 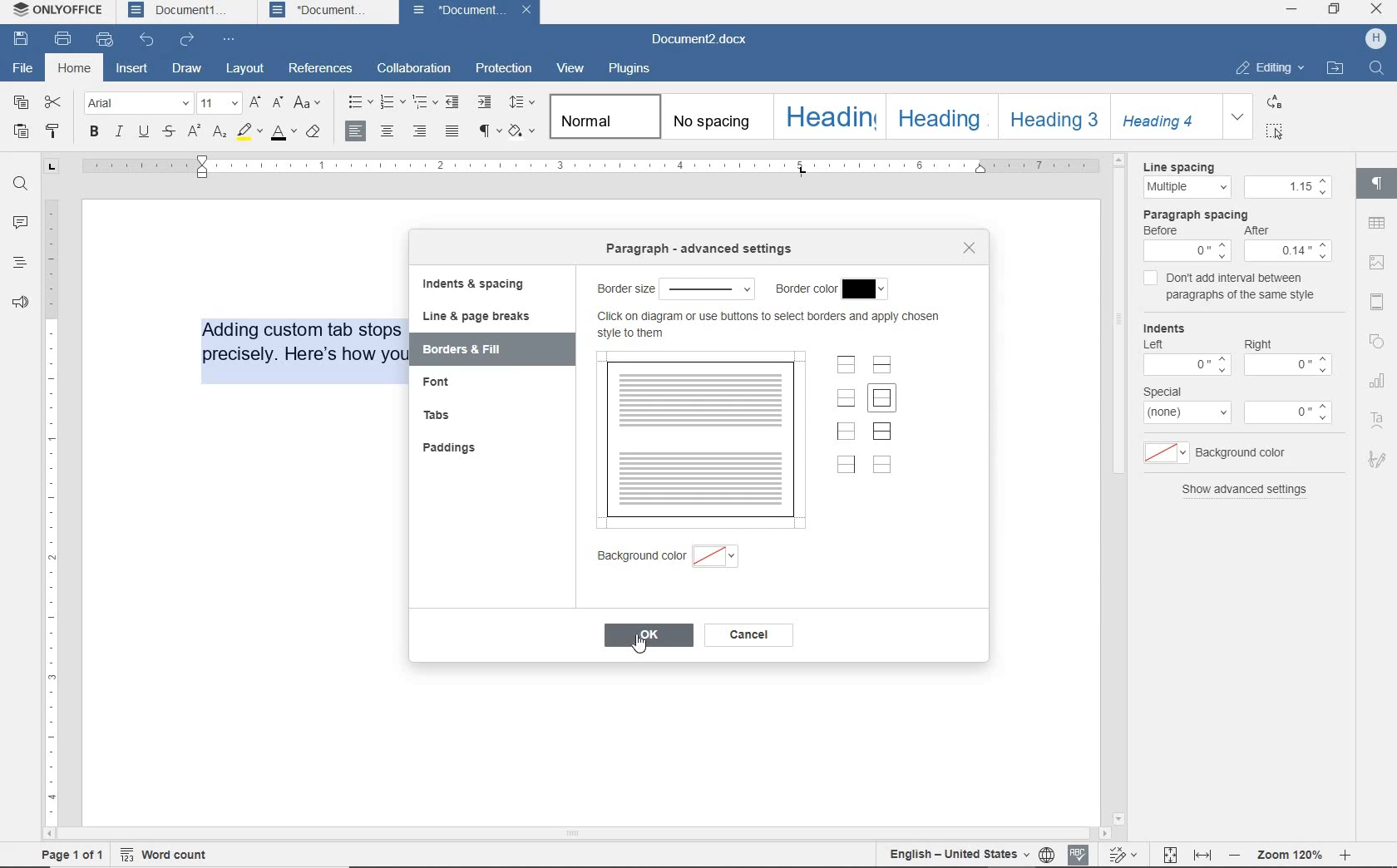 I want to click on scrollbar, so click(x=1348, y=496).